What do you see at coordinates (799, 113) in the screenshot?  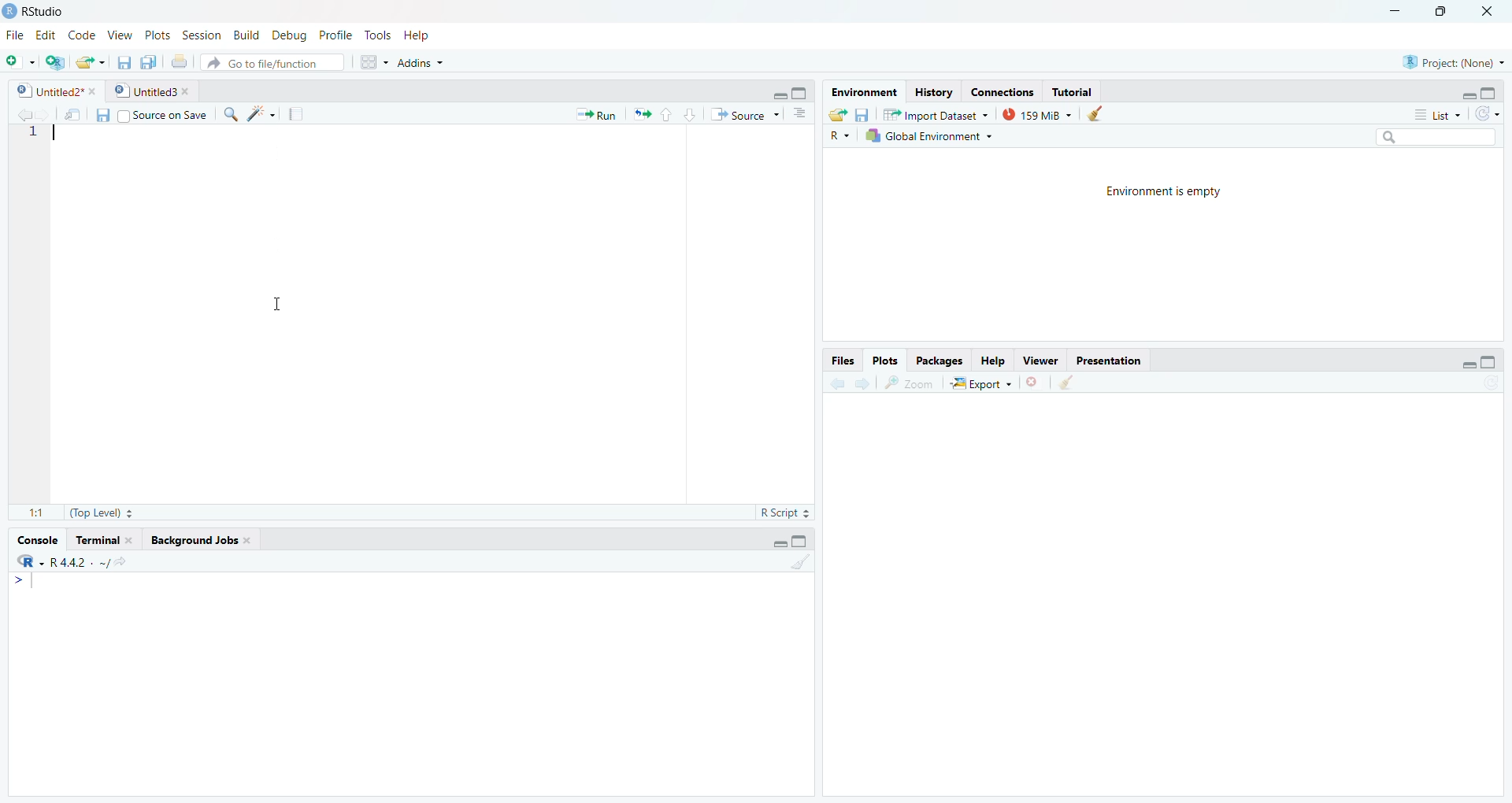 I see `Document Outline` at bounding box center [799, 113].